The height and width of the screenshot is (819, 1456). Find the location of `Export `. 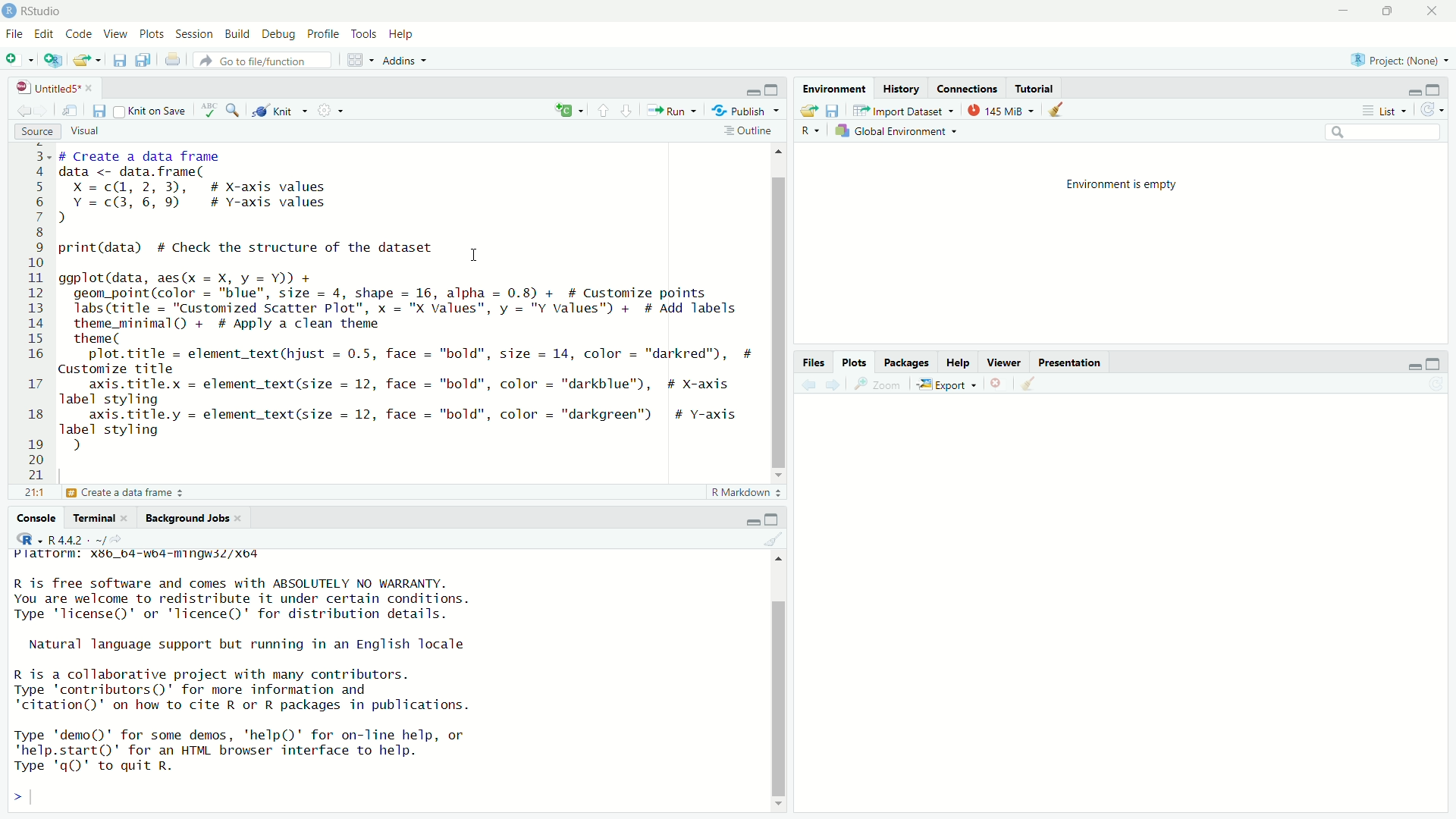

Export  is located at coordinates (942, 384).